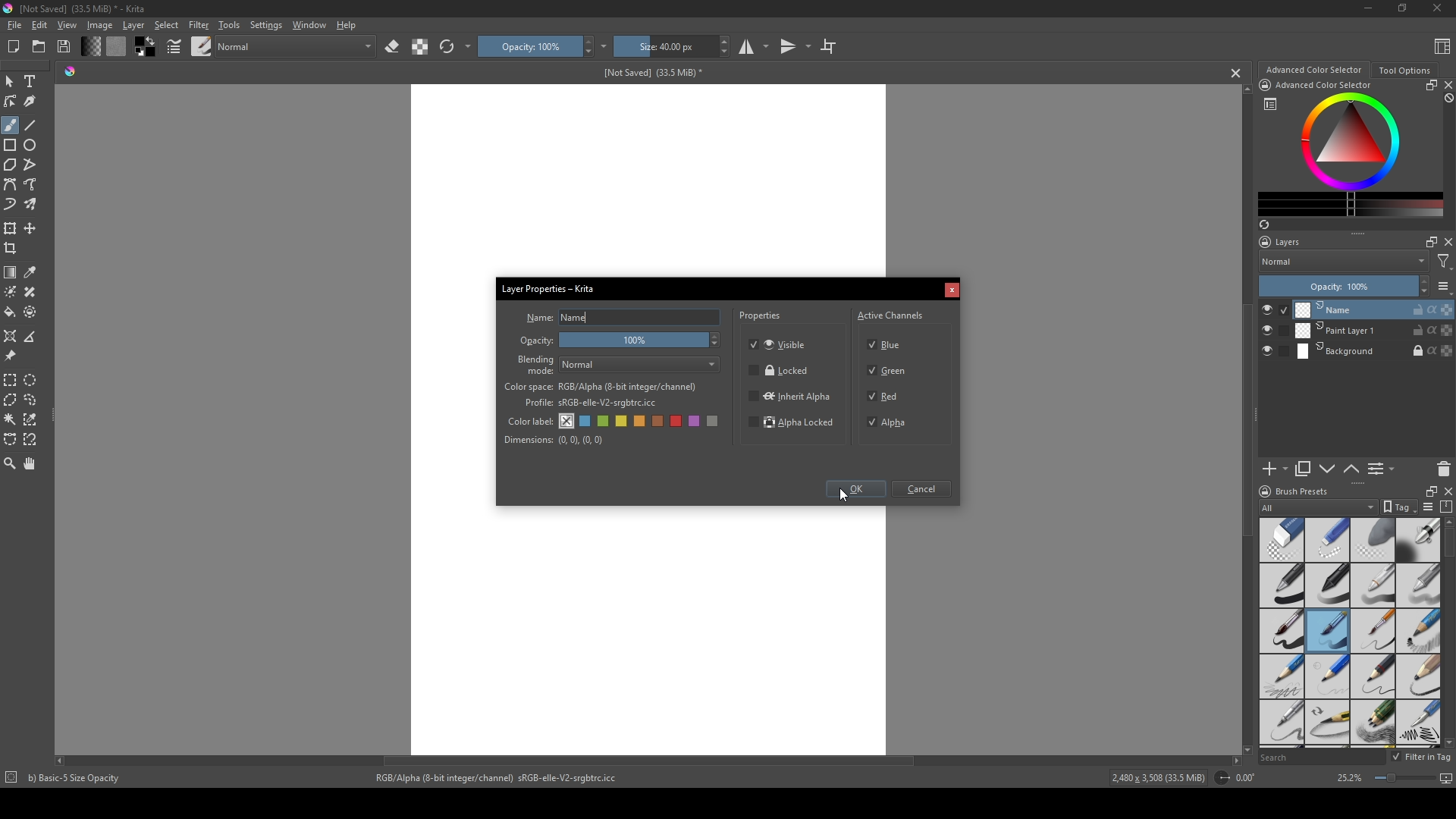 This screenshot has height=819, width=1456. Describe the element at coordinates (11, 185) in the screenshot. I see `bezier` at that location.